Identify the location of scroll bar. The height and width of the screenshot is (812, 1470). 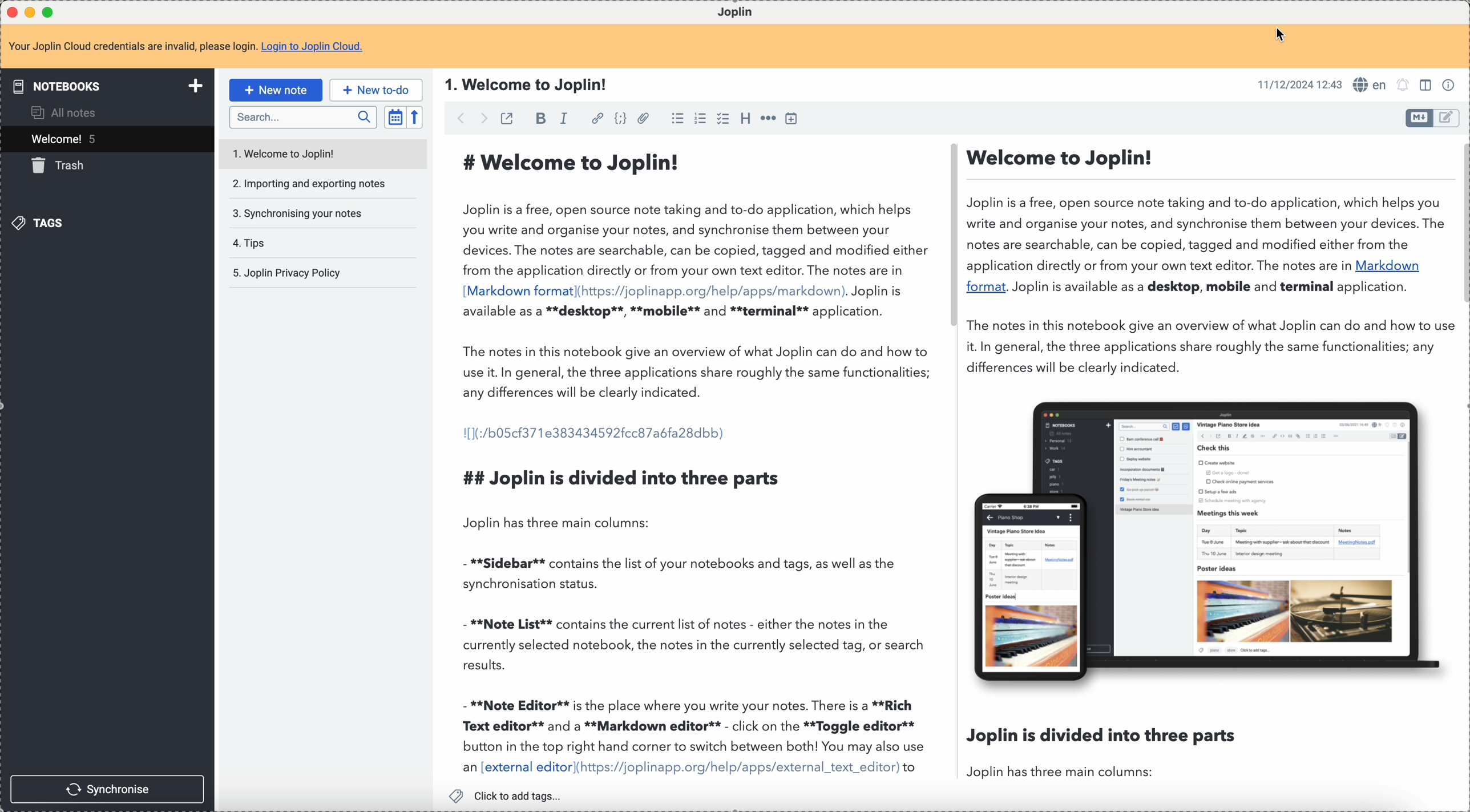
(1461, 221).